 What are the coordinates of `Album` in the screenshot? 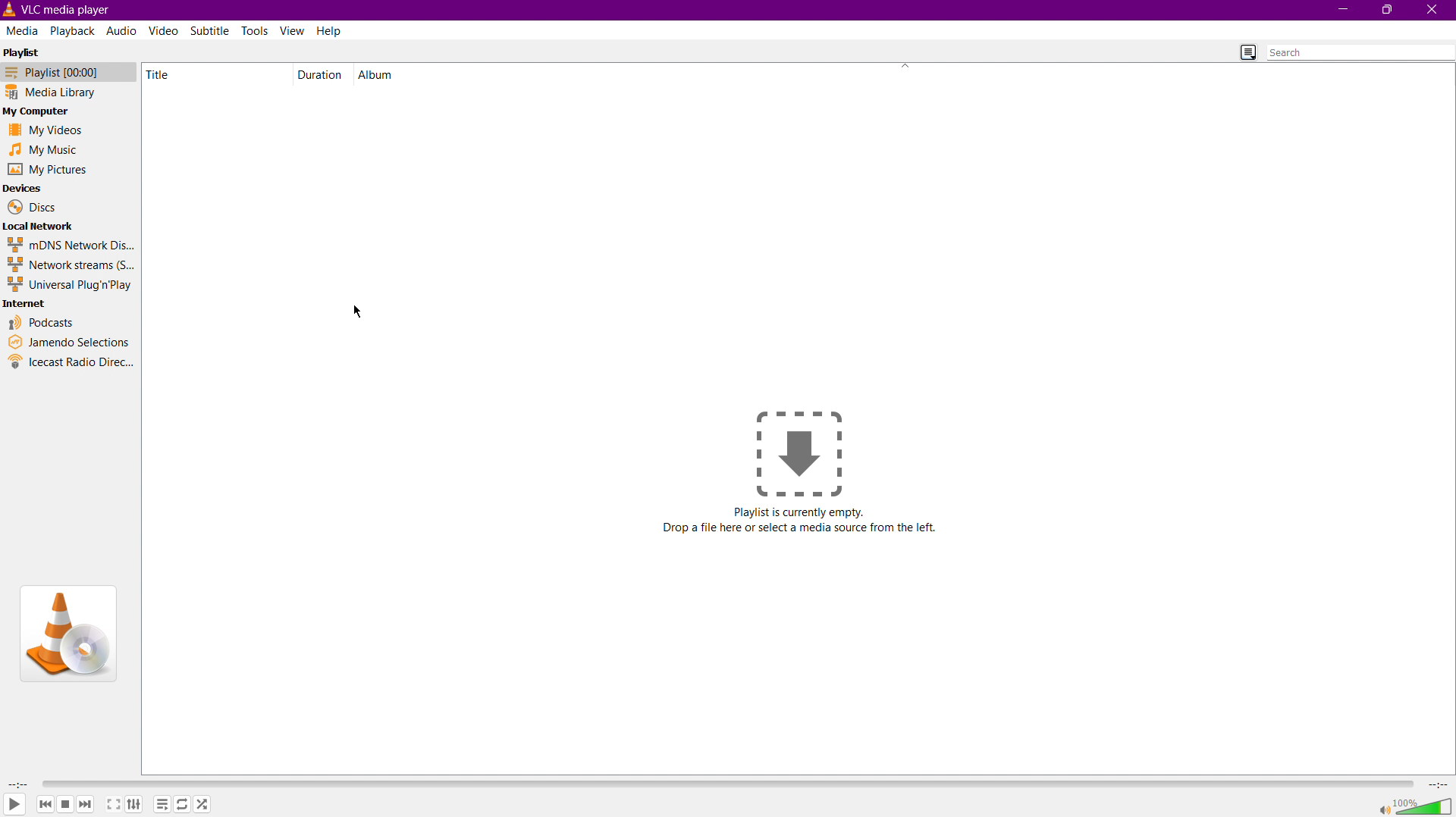 It's located at (375, 74).